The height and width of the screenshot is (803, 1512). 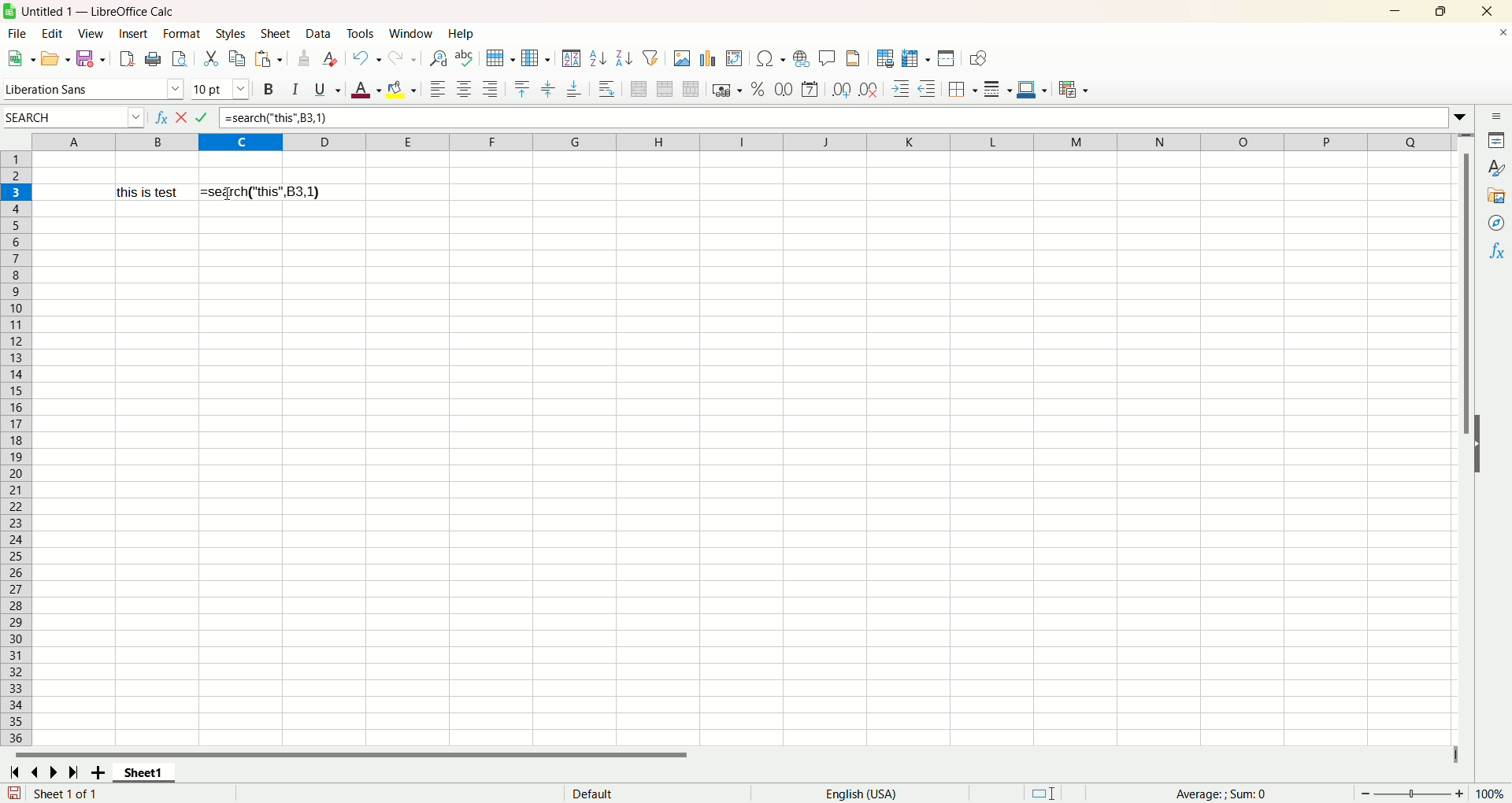 I want to click on center vertically, so click(x=547, y=89).